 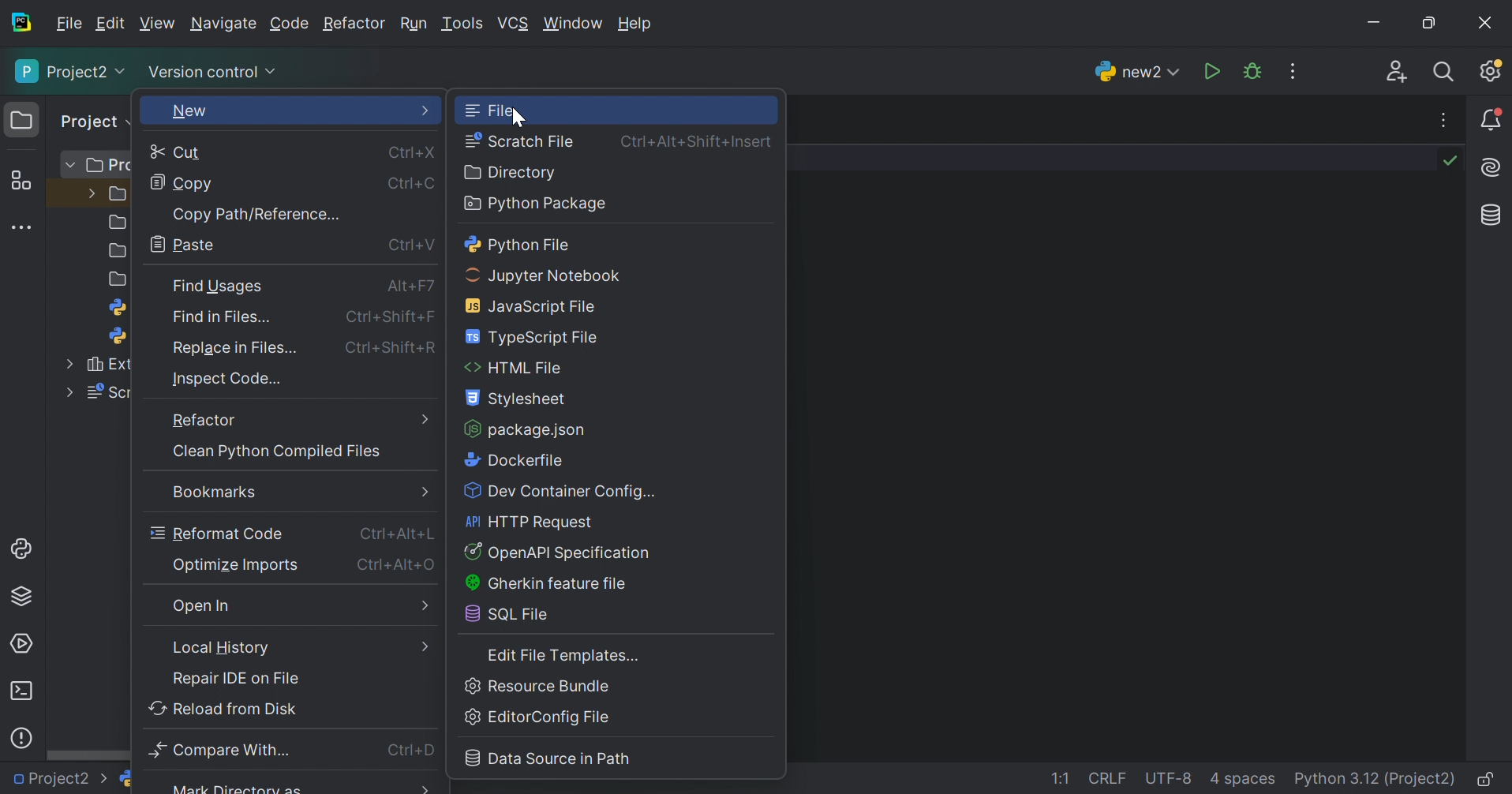 What do you see at coordinates (1445, 120) in the screenshot?
I see `Recent files, tab actions, and more` at bounding box center [1445, 120].